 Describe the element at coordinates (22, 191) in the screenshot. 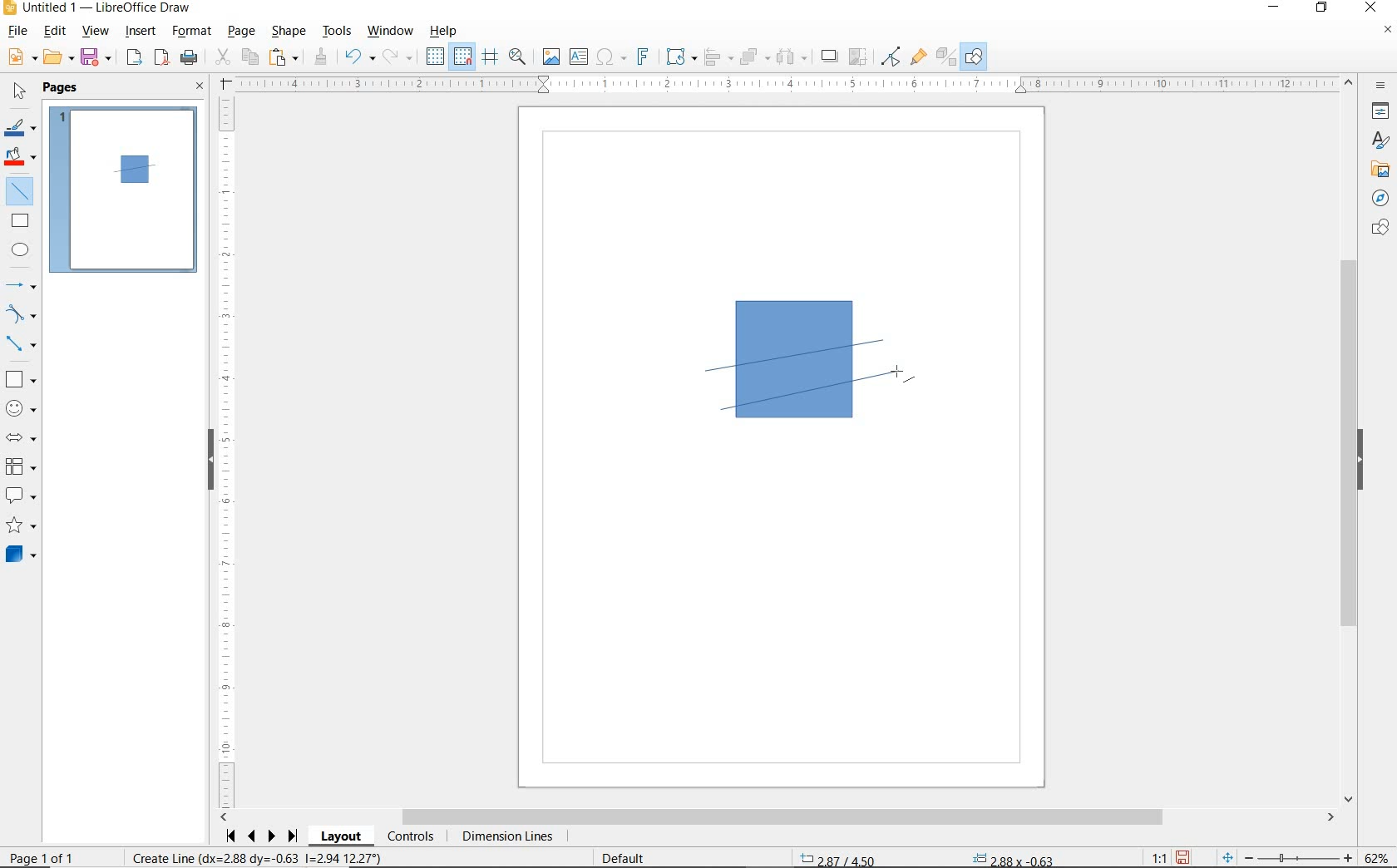

I see `INSERT LINE` at that location.